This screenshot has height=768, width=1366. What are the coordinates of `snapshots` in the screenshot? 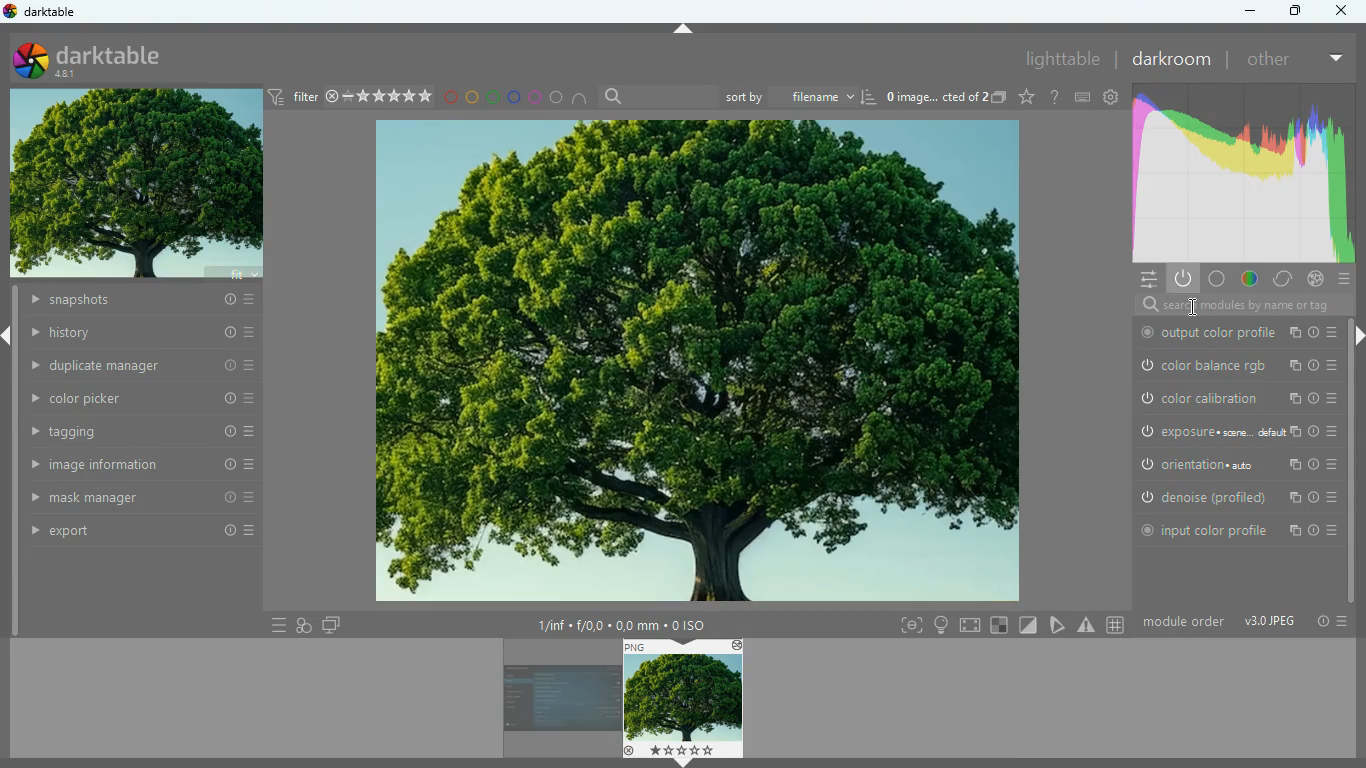 It's located at (144, 302).